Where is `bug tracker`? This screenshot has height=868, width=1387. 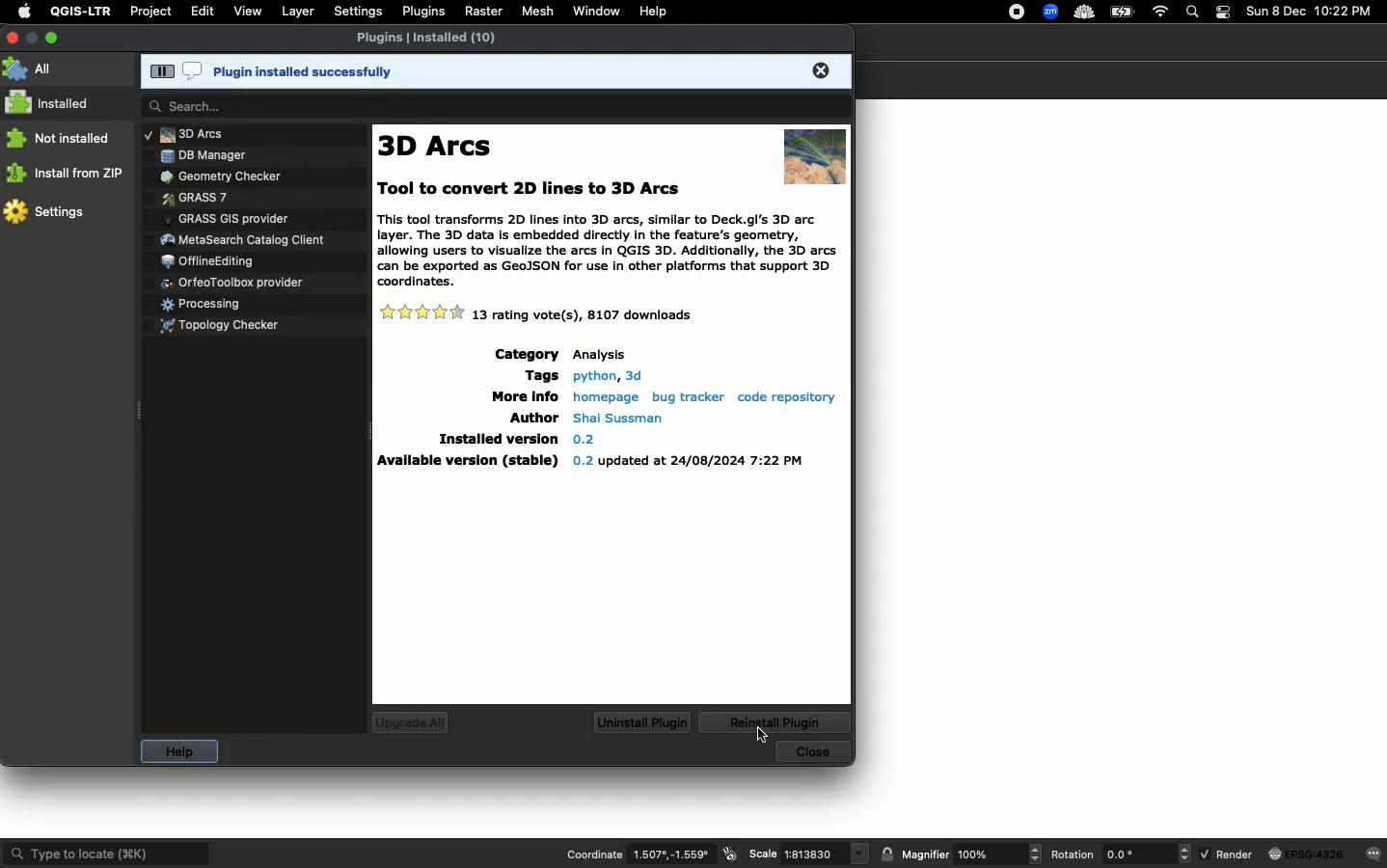 bug tracker is located at coordinates (685, 395).